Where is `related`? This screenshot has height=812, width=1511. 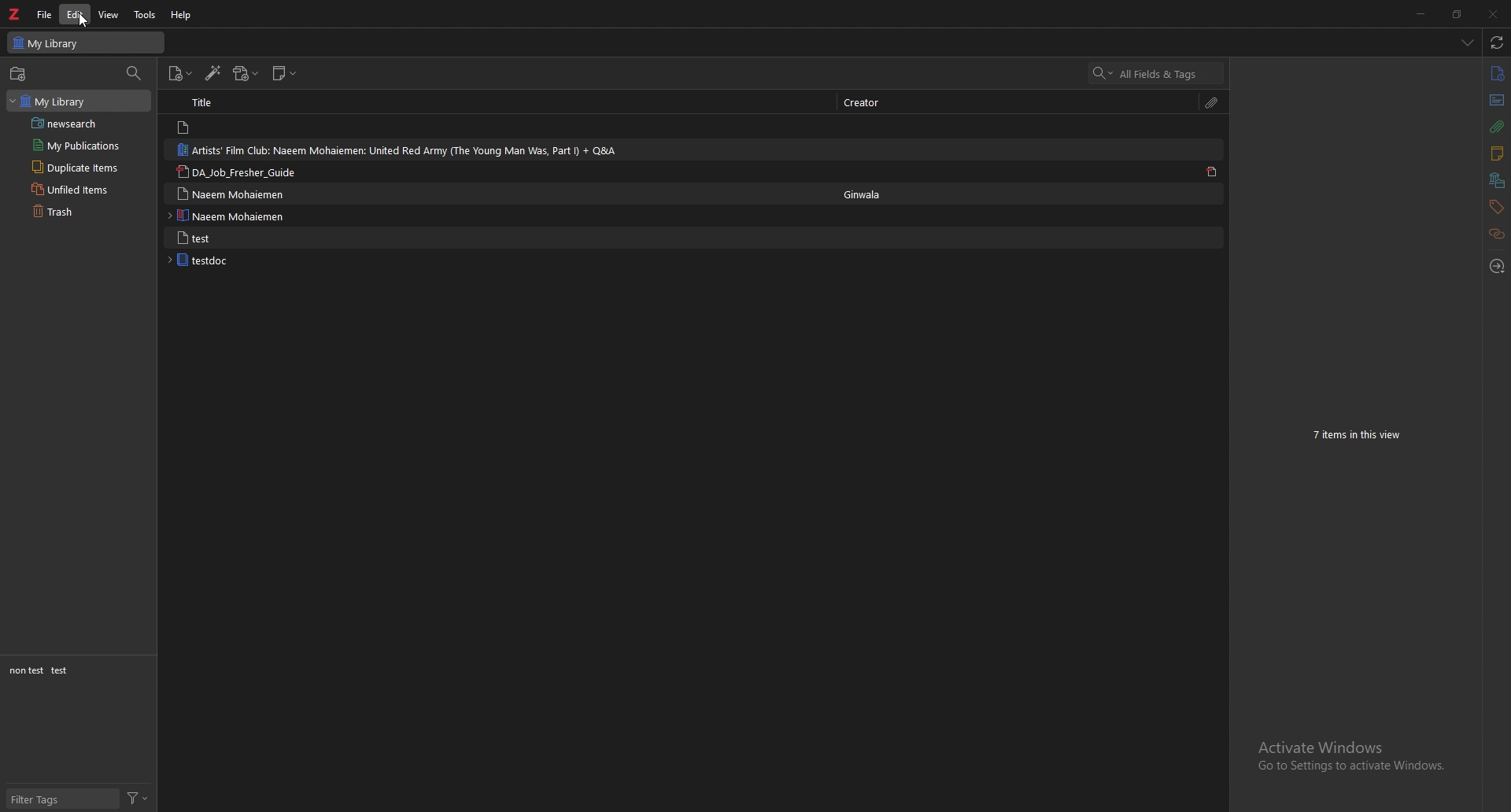 related is located at coordinates (1498, 233).